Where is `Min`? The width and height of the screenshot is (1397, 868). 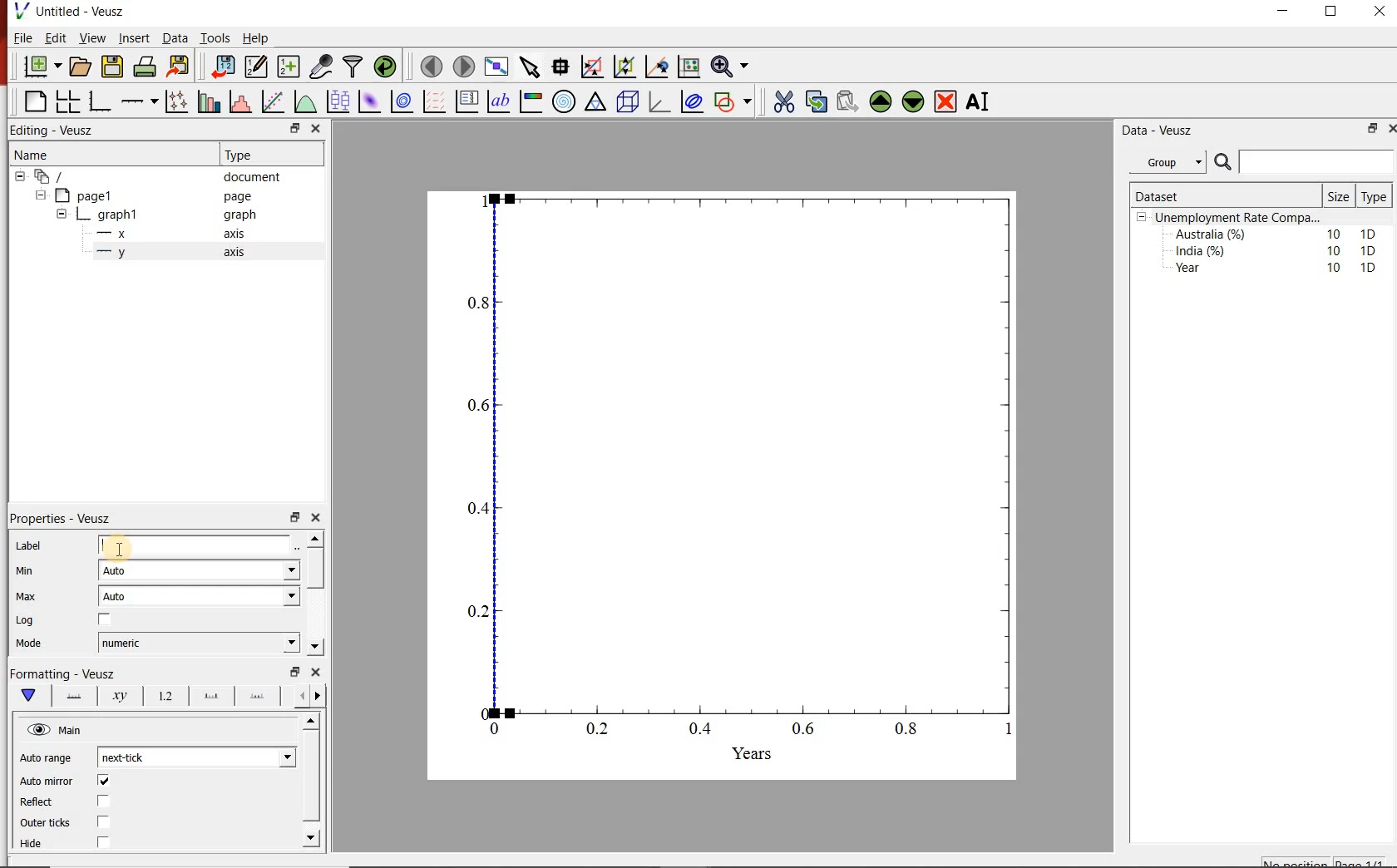
Min is located at coordinates (36, 572).